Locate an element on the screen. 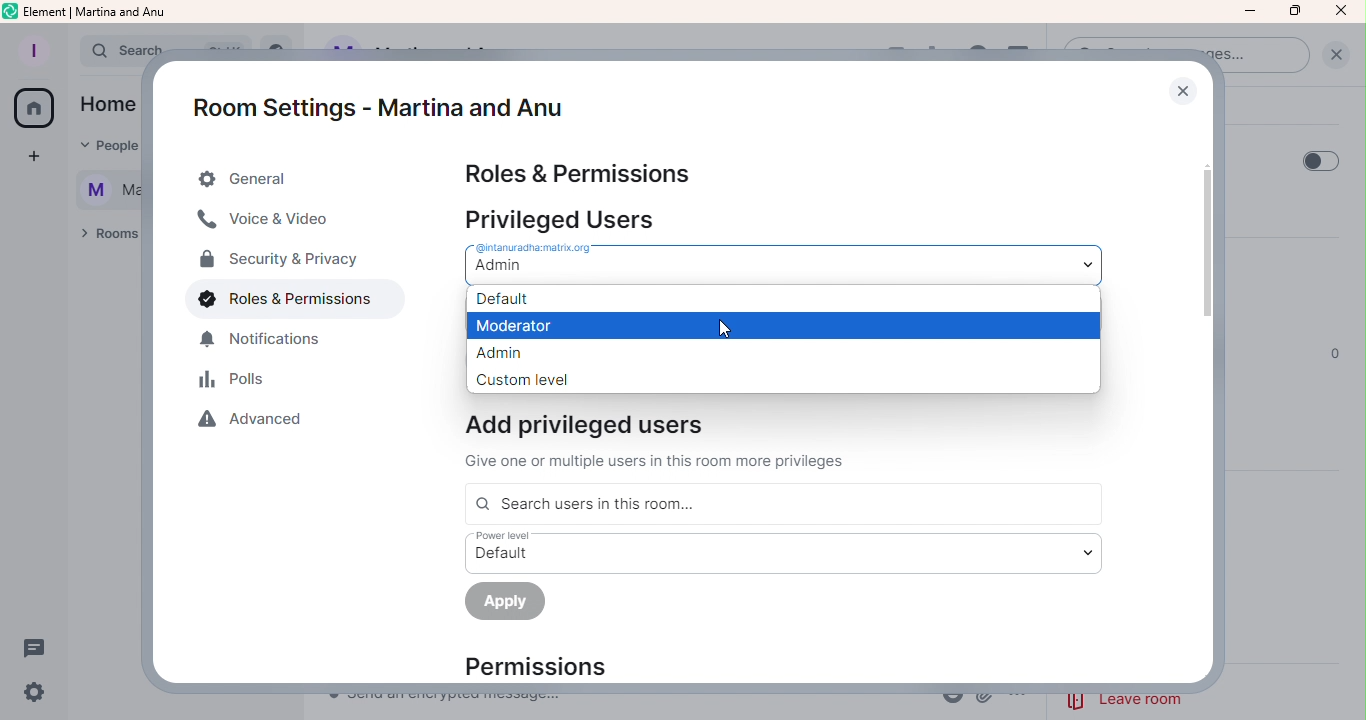 The width and height of the screenshot is (1366, 720). Threads is located at coordinates (40, 647).